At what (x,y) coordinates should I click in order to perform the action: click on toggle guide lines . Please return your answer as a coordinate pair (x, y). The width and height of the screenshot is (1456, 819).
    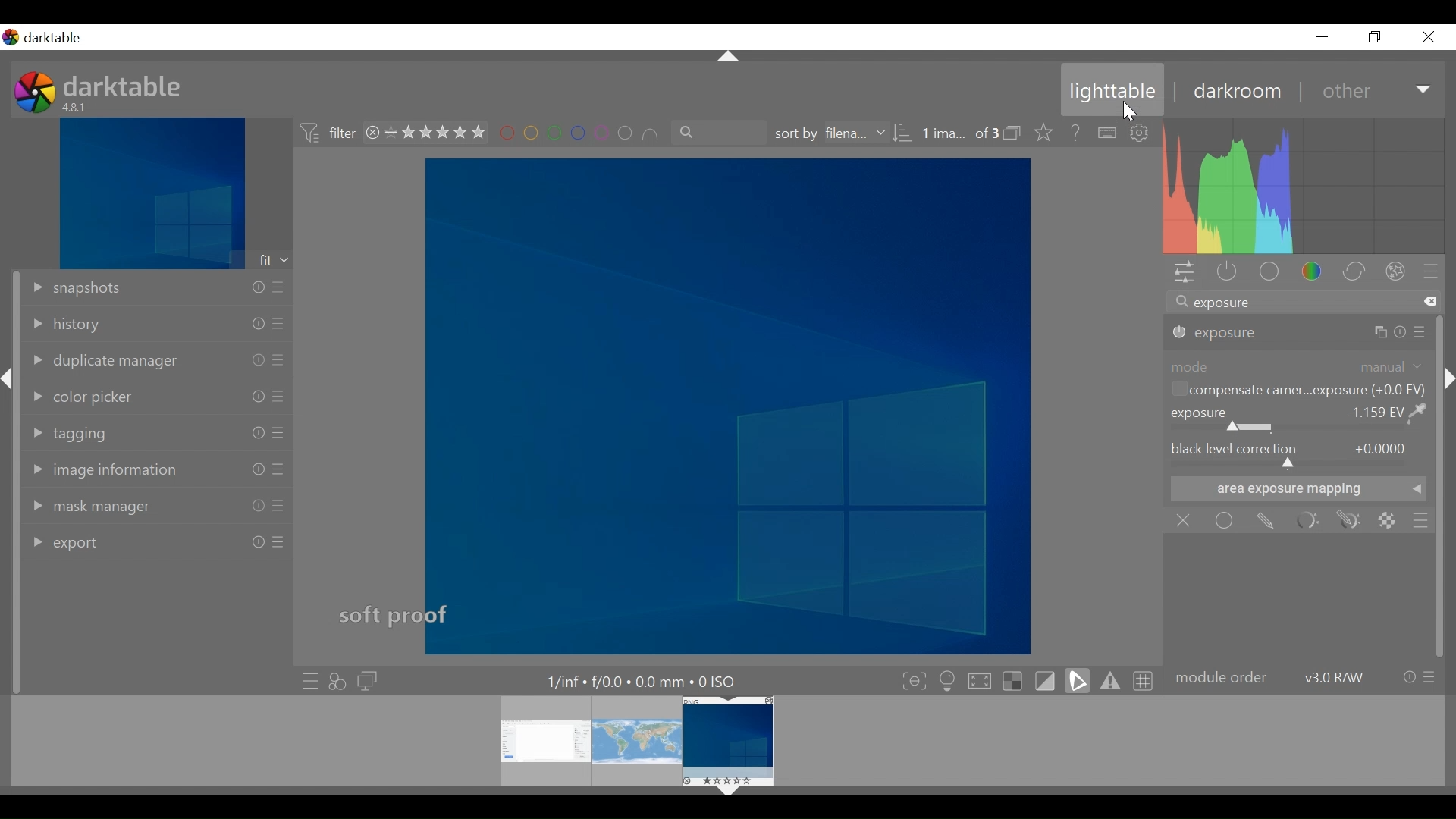
    Looking at the image, I should click on (1144, 681).